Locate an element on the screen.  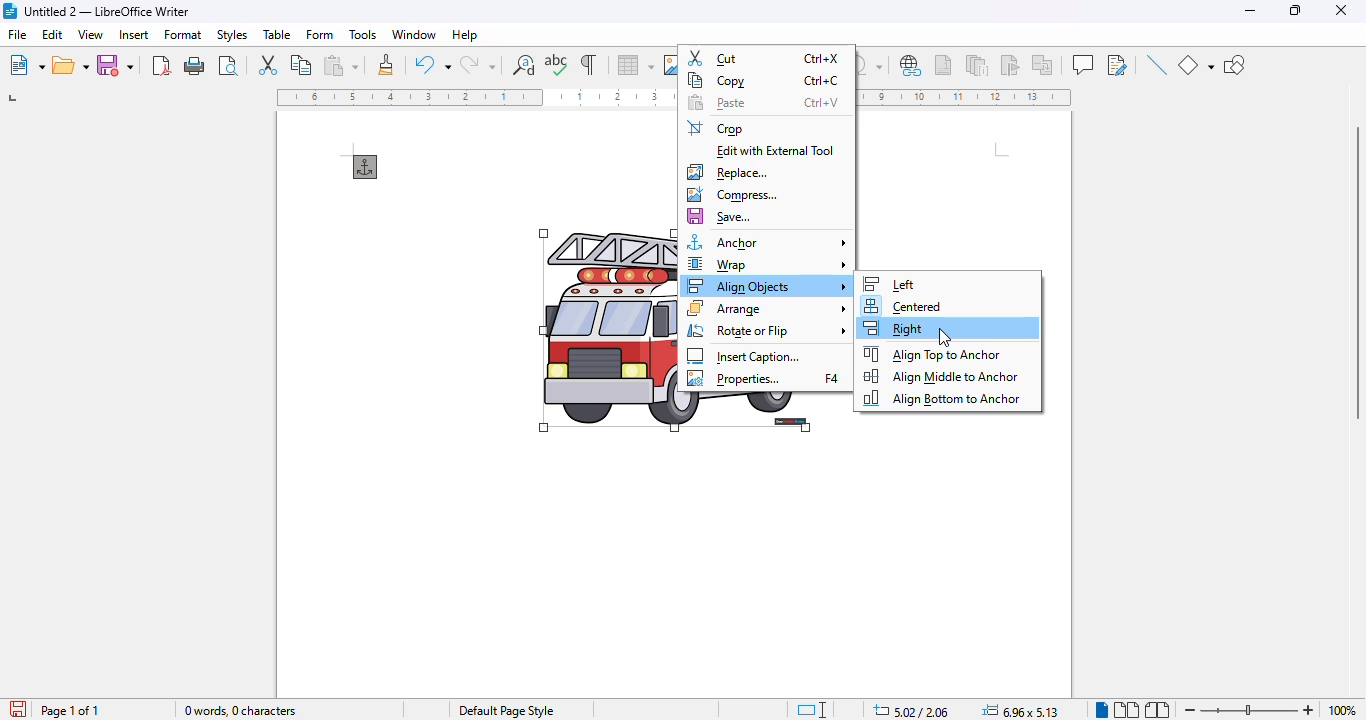
insert caption is located at coordinates (744, 356).